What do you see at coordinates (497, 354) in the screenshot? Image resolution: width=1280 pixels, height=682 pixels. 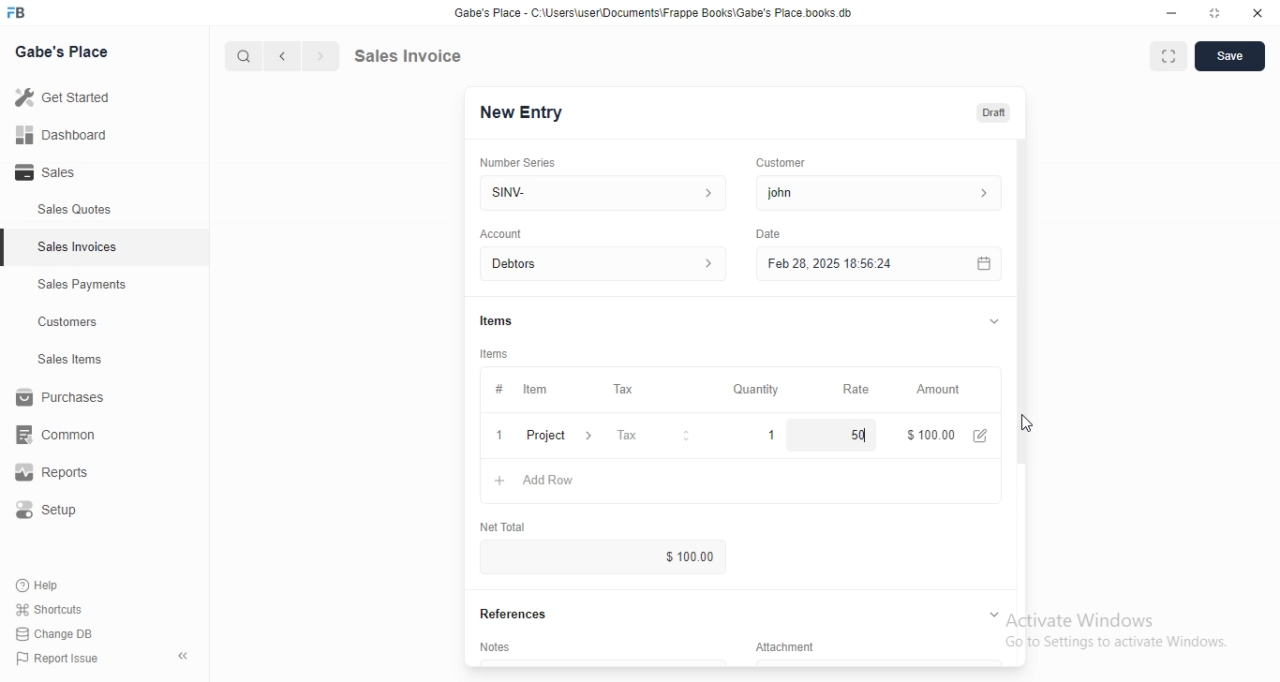 I see `tems` at bounding box center [497, 354].